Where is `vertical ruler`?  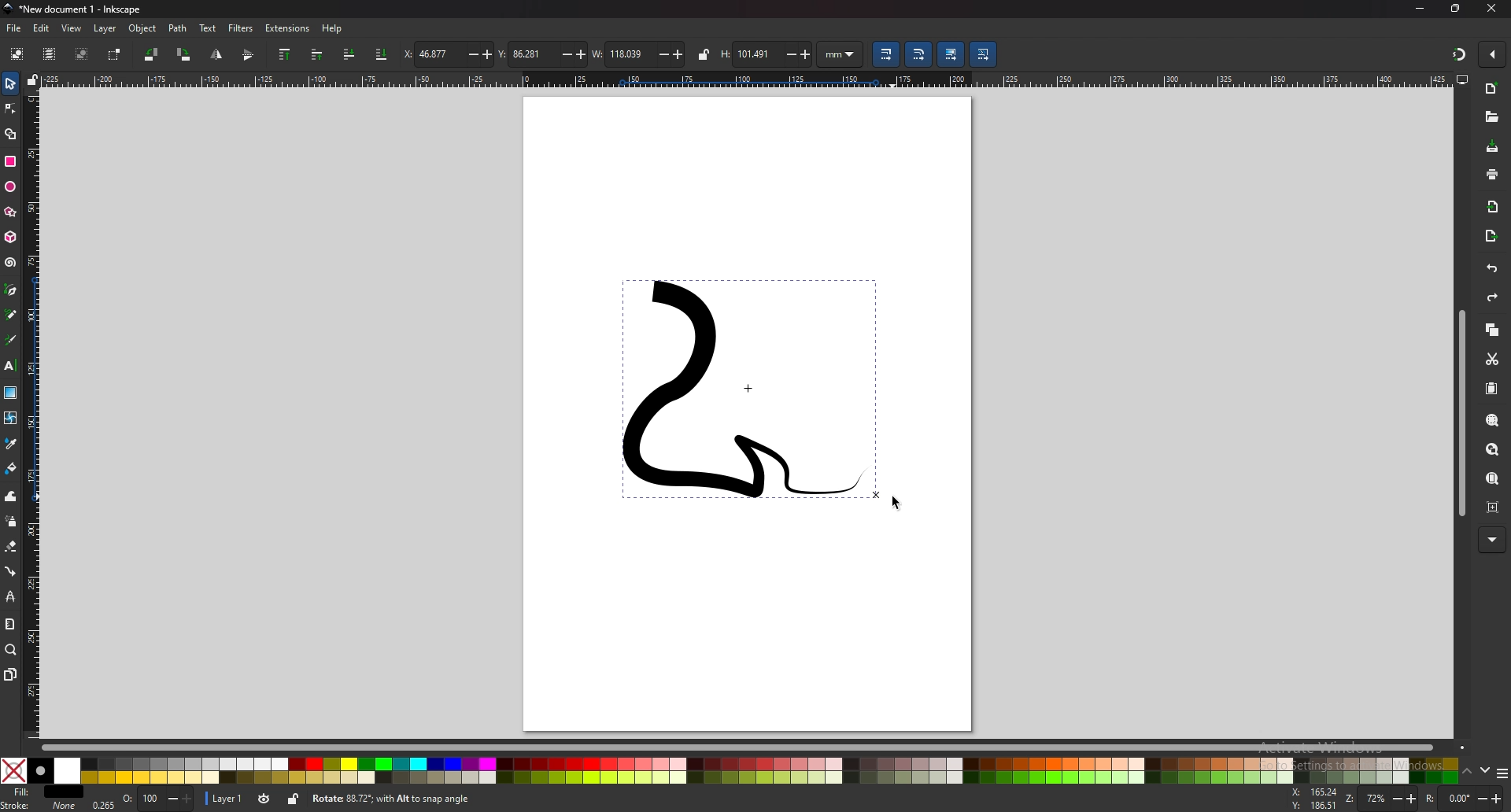 vertical ruler is located at coordinates (34, 415).